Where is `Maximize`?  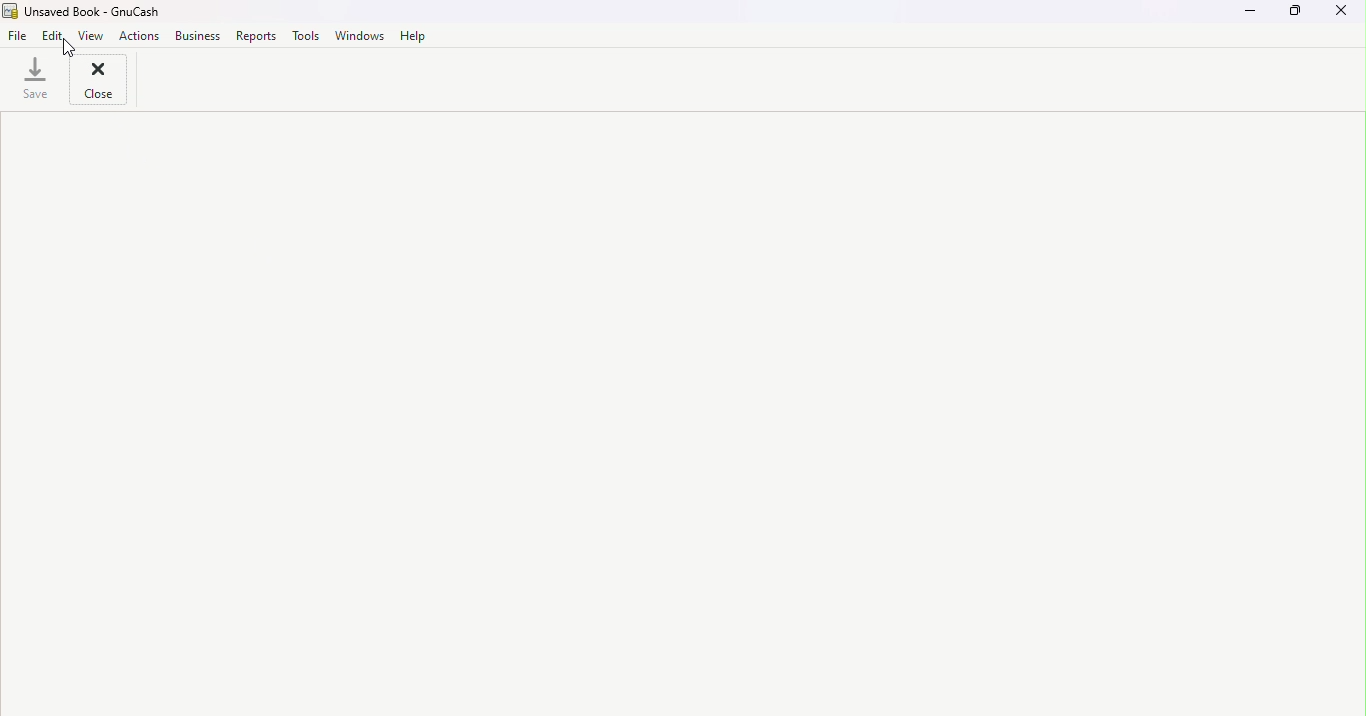 Maximize is located at coordinates (1292, 16).